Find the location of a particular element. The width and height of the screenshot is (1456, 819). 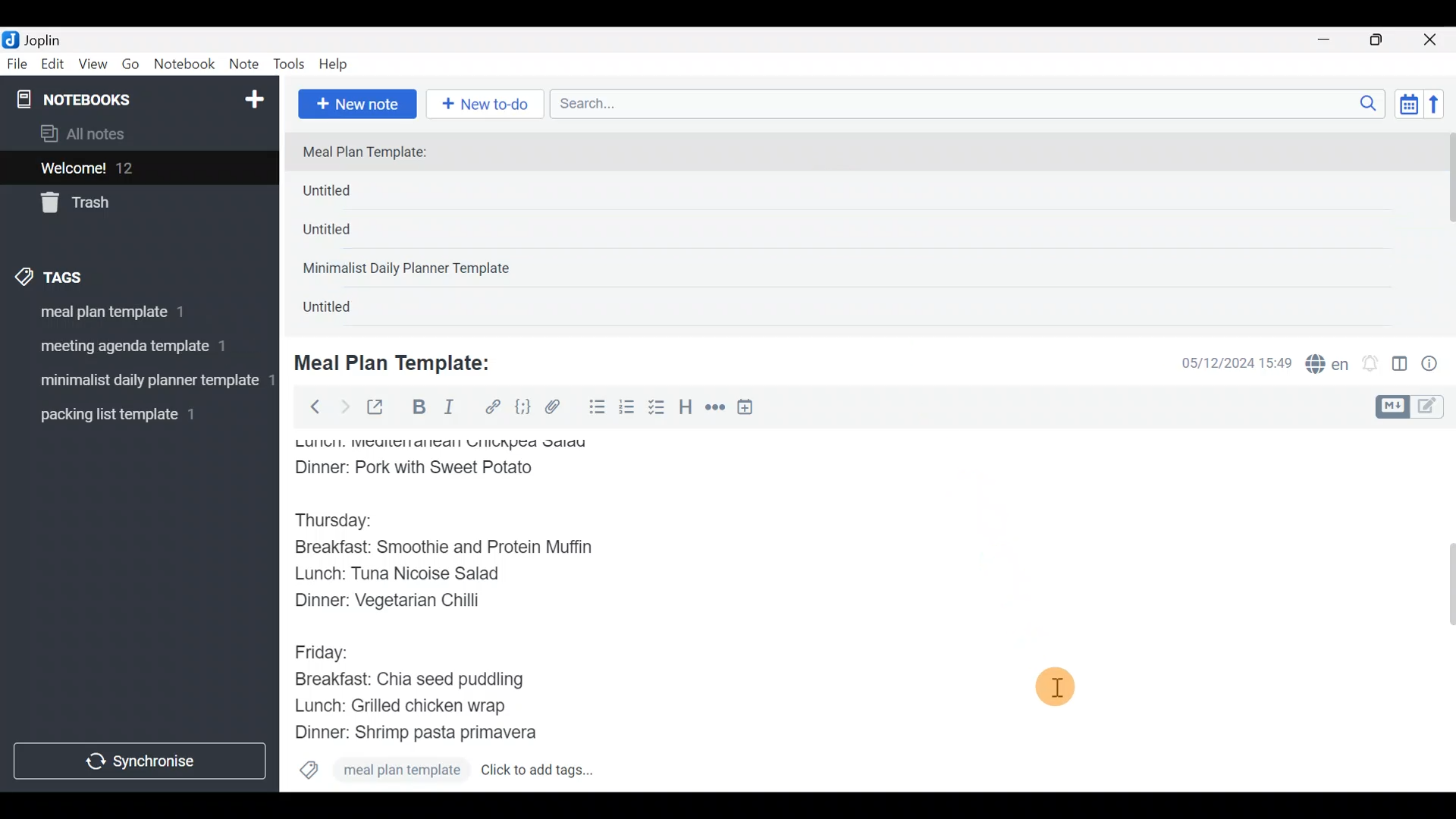

Notebook is located at coordinates (187, 66).